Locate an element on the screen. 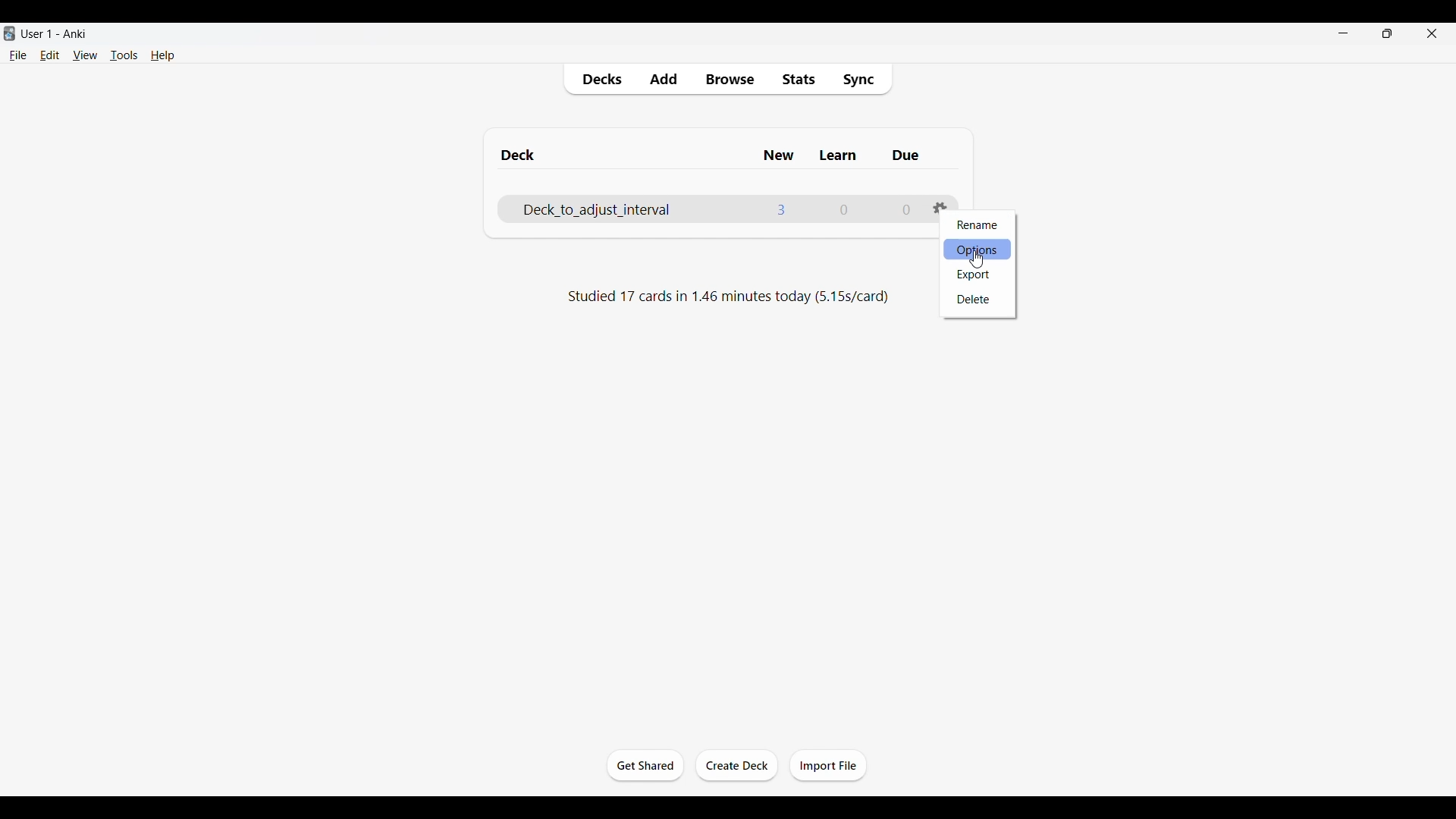 The height and width of the screenshot is (819, 1456). Export is located at coordinates (978, 276).